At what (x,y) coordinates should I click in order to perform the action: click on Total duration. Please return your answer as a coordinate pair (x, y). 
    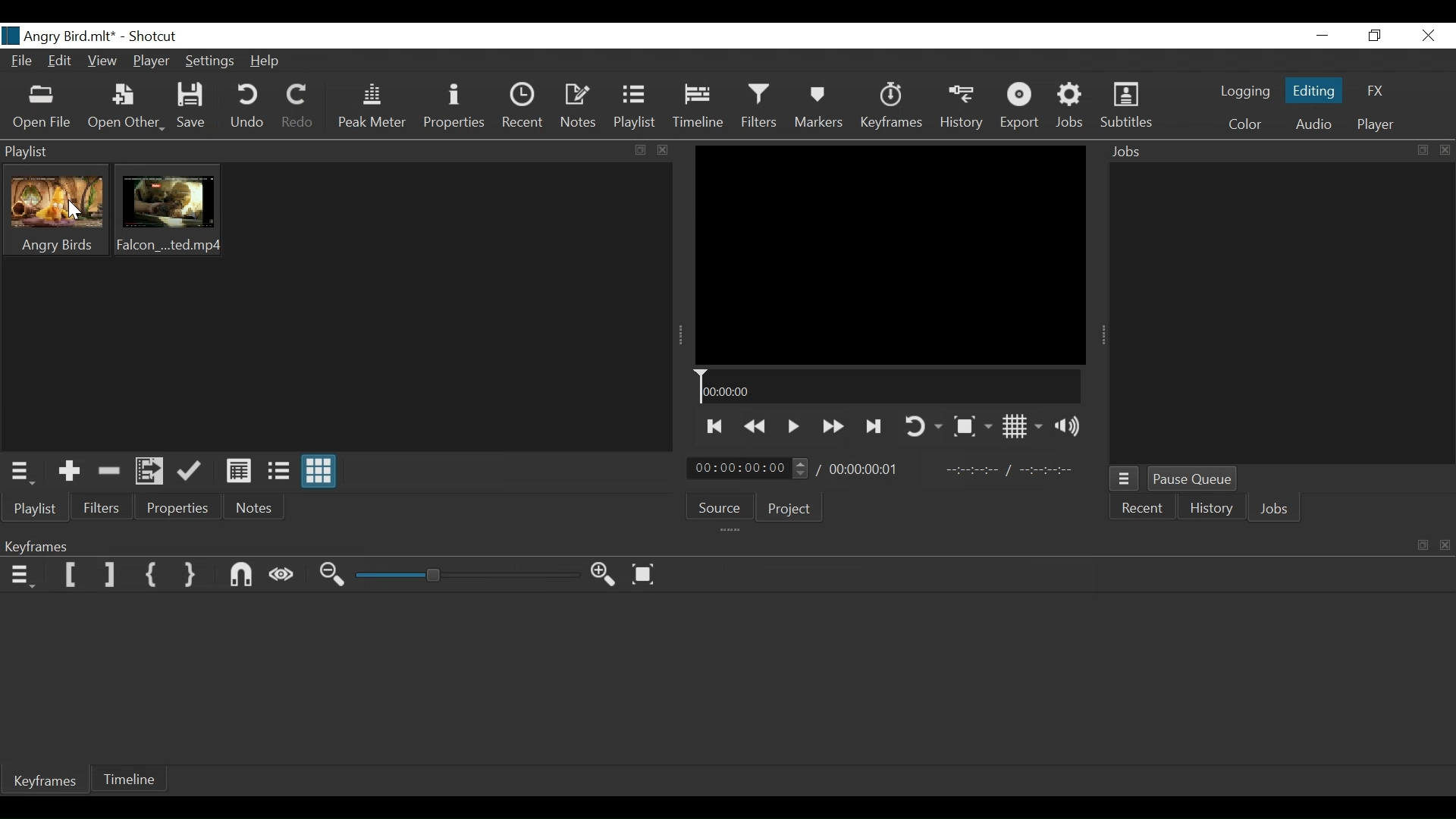
    Looking at the image, I should click on (867, 469).